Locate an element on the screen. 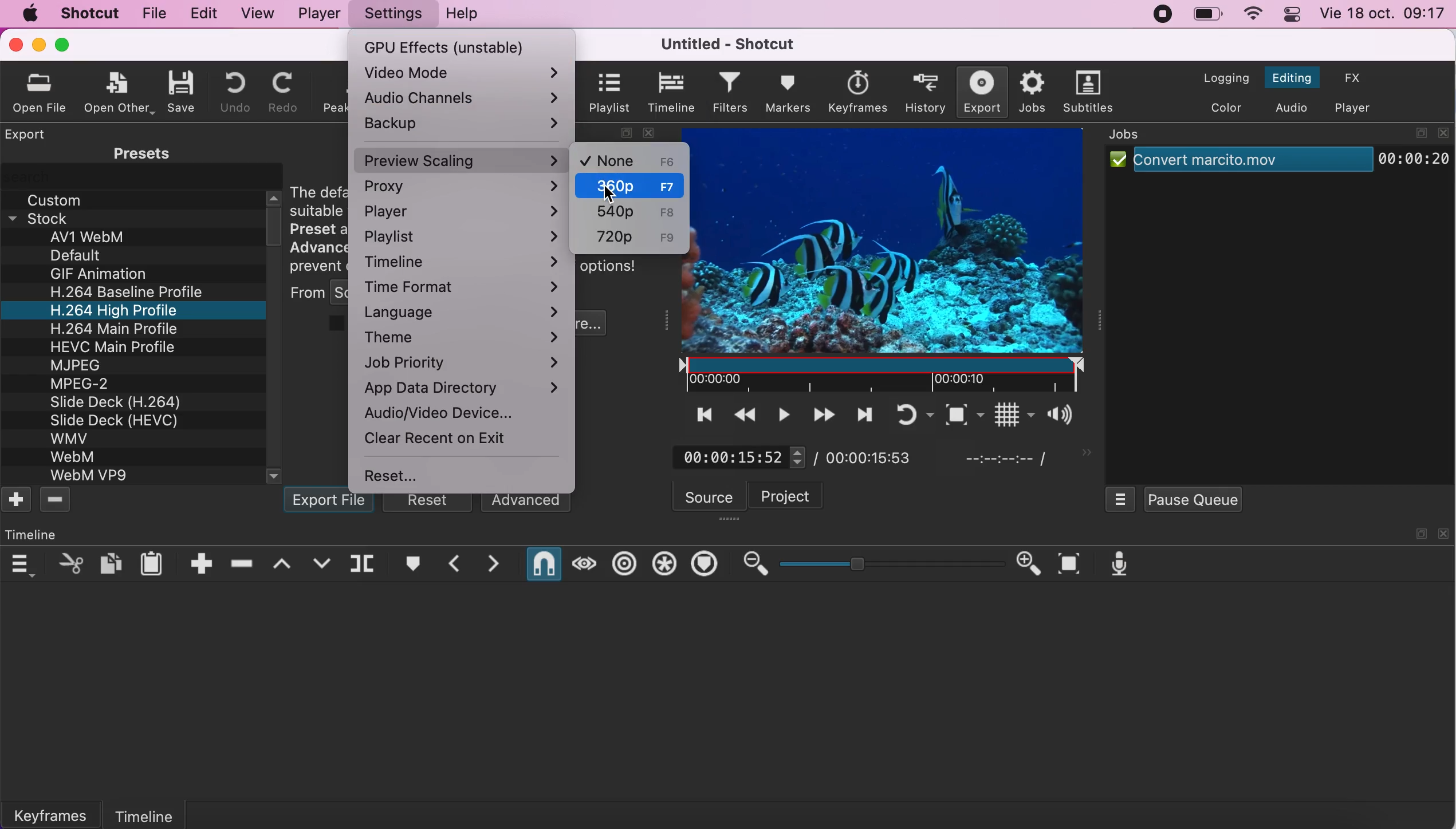 Image resolution: width=1456 pixels, height=829 pixels. backup is located at coordinates (463, 125).